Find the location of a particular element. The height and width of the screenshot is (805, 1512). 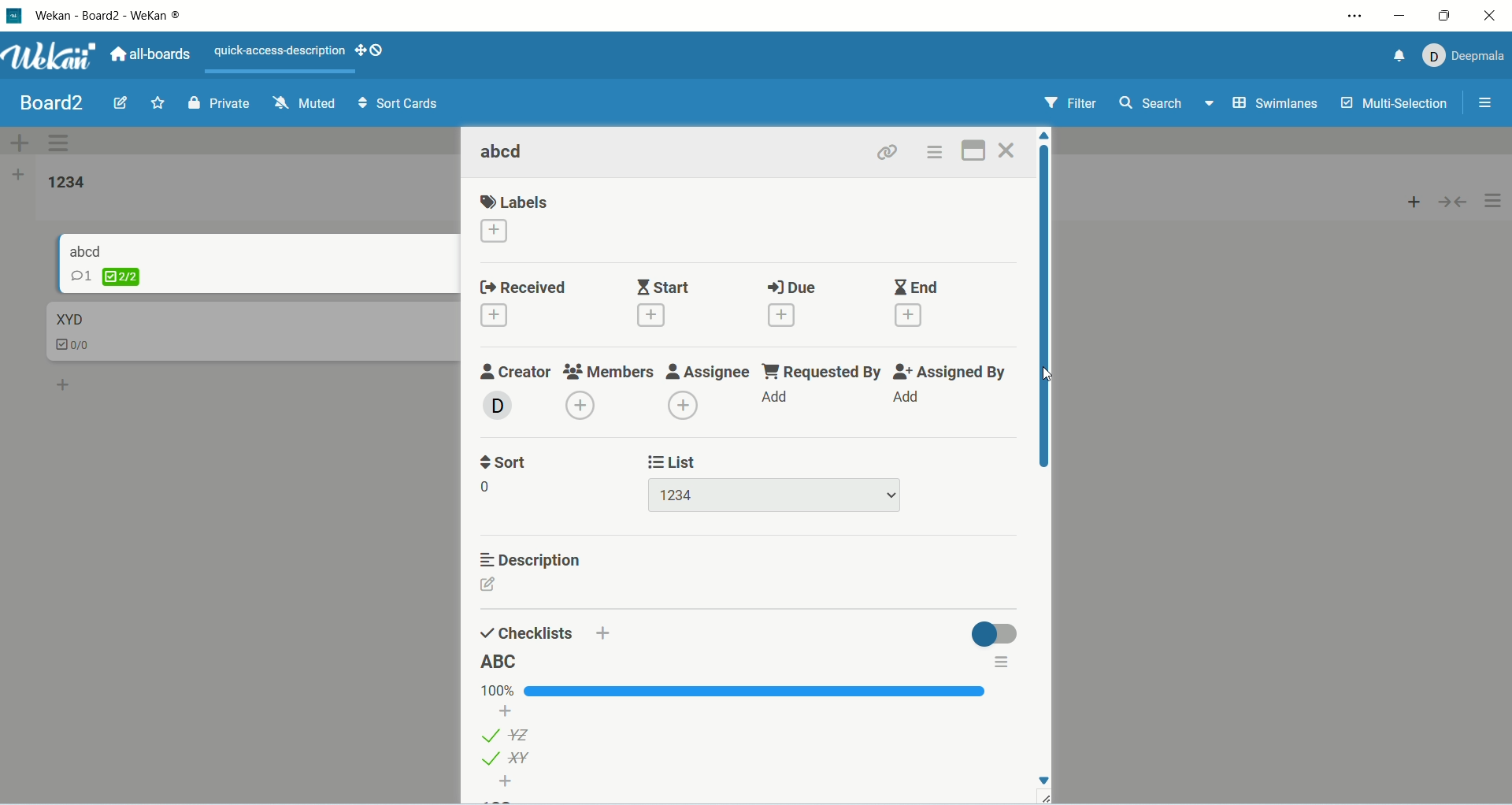

list title is located at coordinates (504, 662).